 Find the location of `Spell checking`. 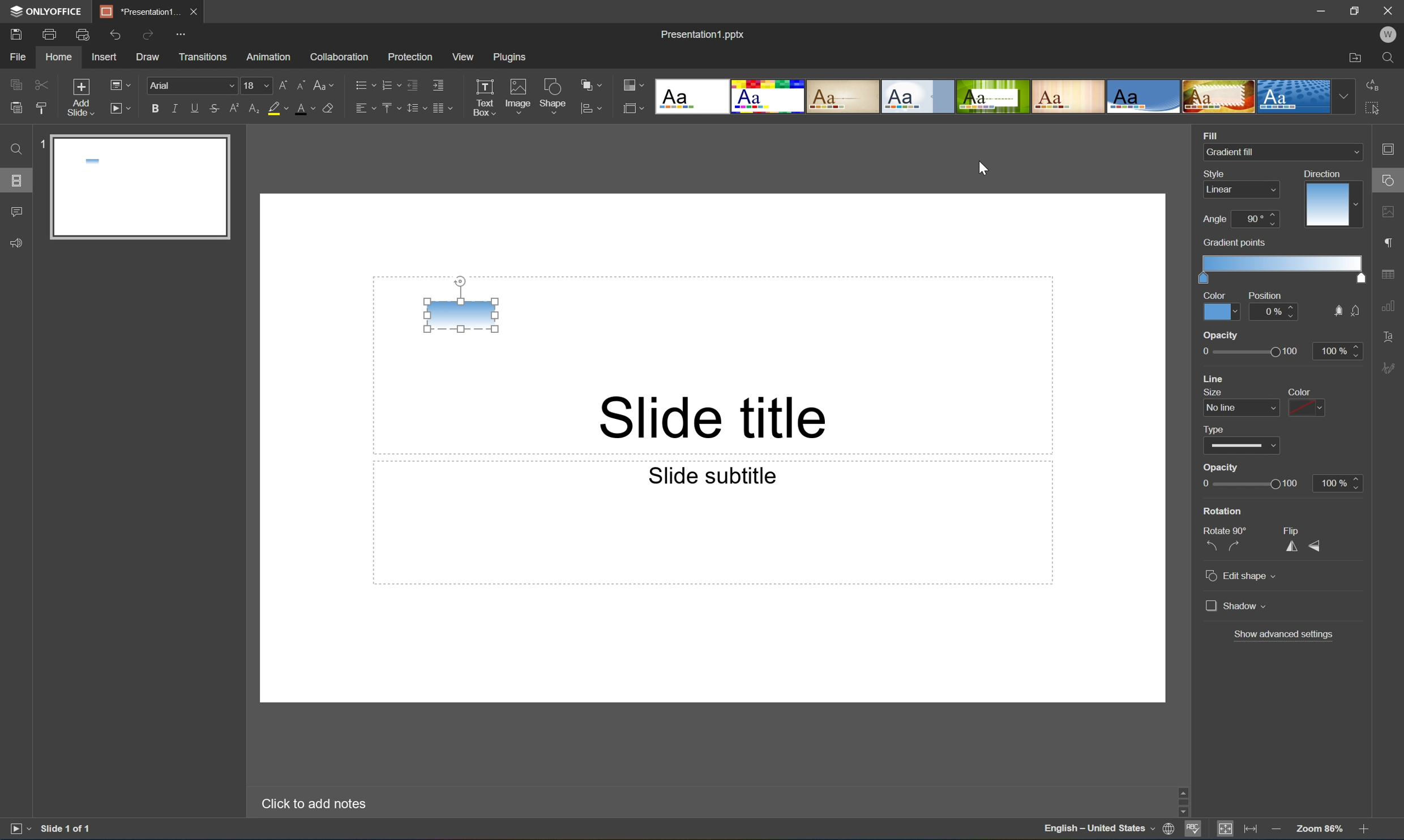

Spell checking is located at coordinates (1193, 830).